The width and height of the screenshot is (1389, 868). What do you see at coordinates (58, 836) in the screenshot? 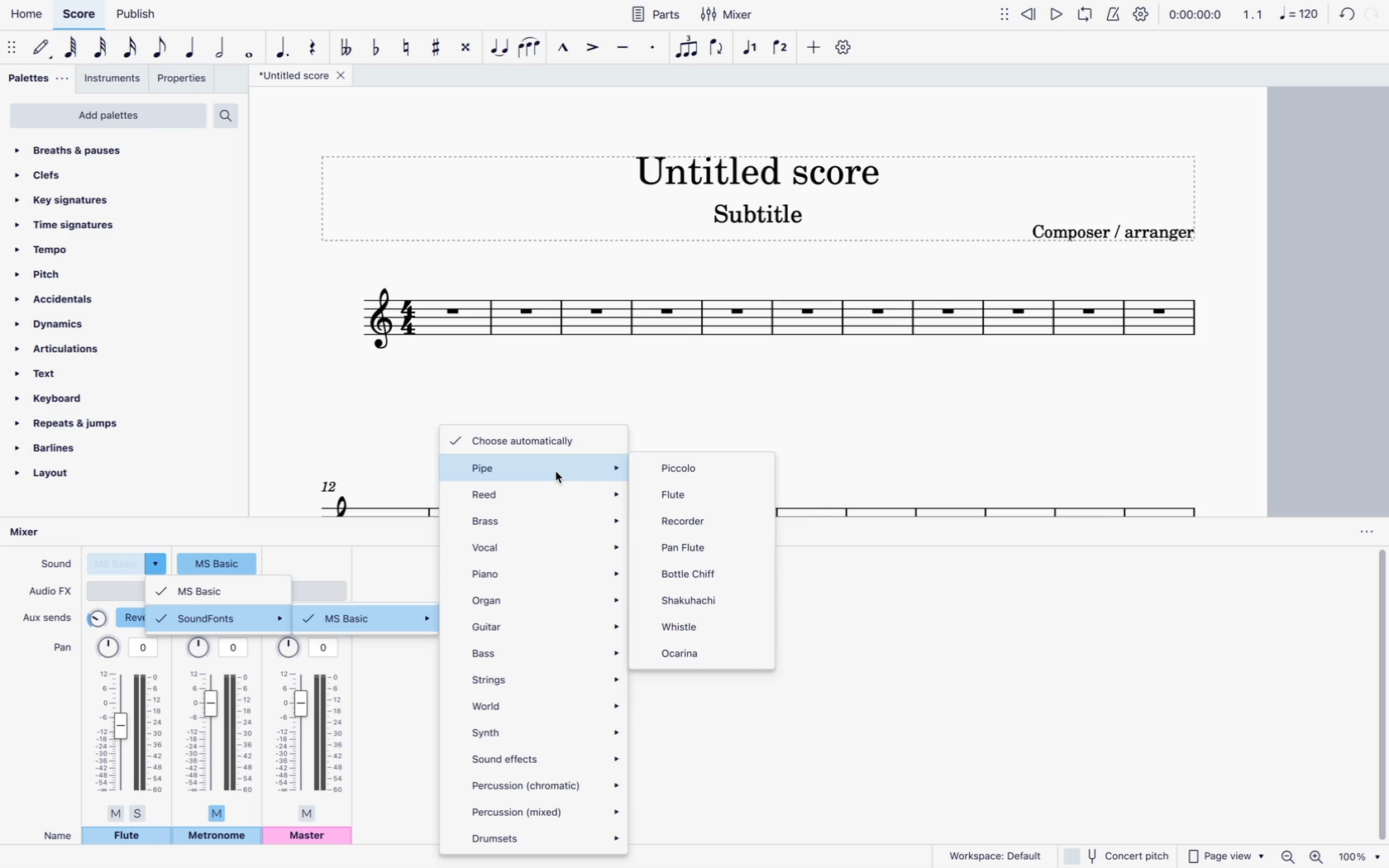
I see `name` at bounding box center [58, 836].